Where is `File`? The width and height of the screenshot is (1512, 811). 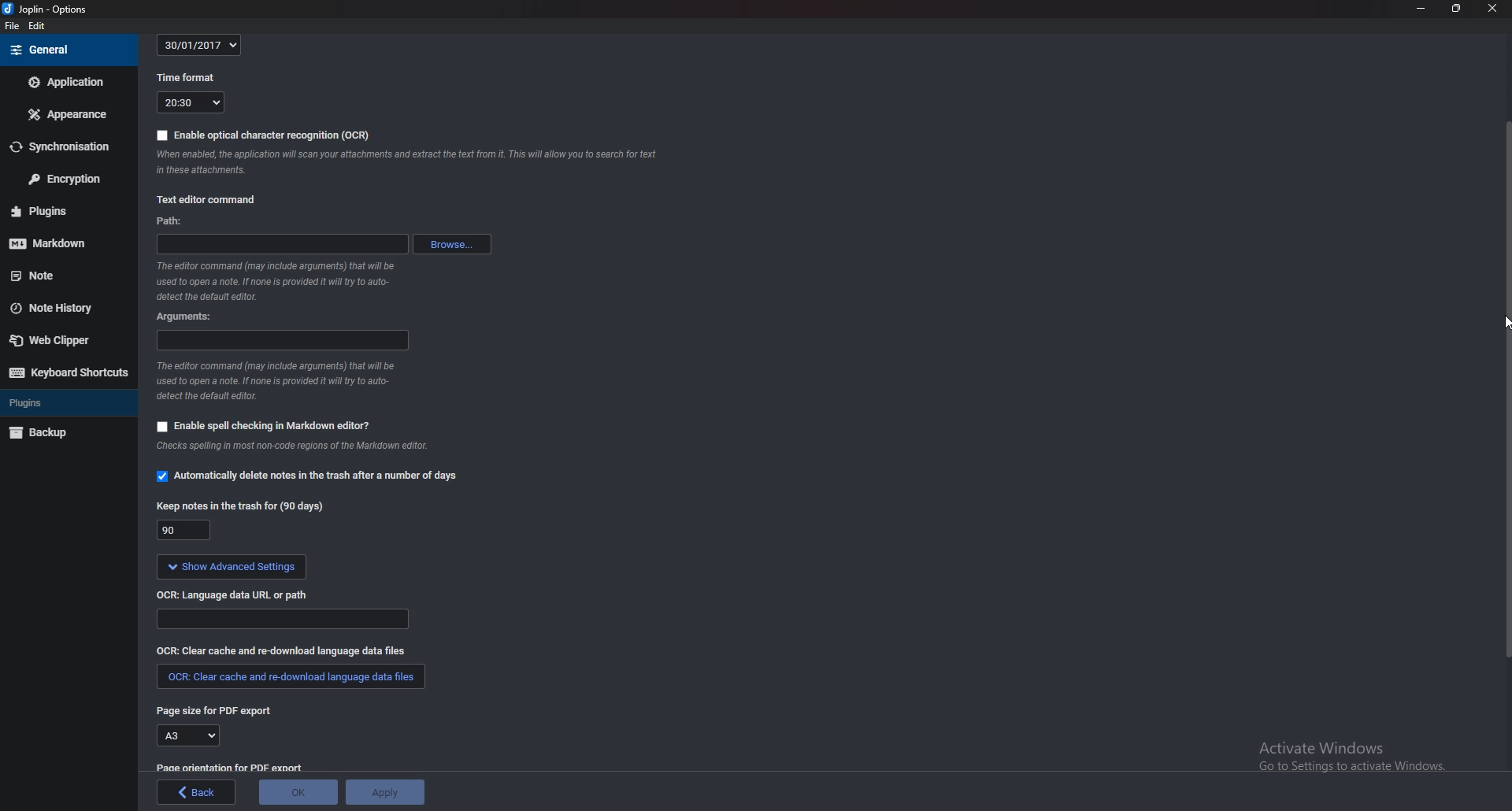 File is located at coordinates (13, 26).